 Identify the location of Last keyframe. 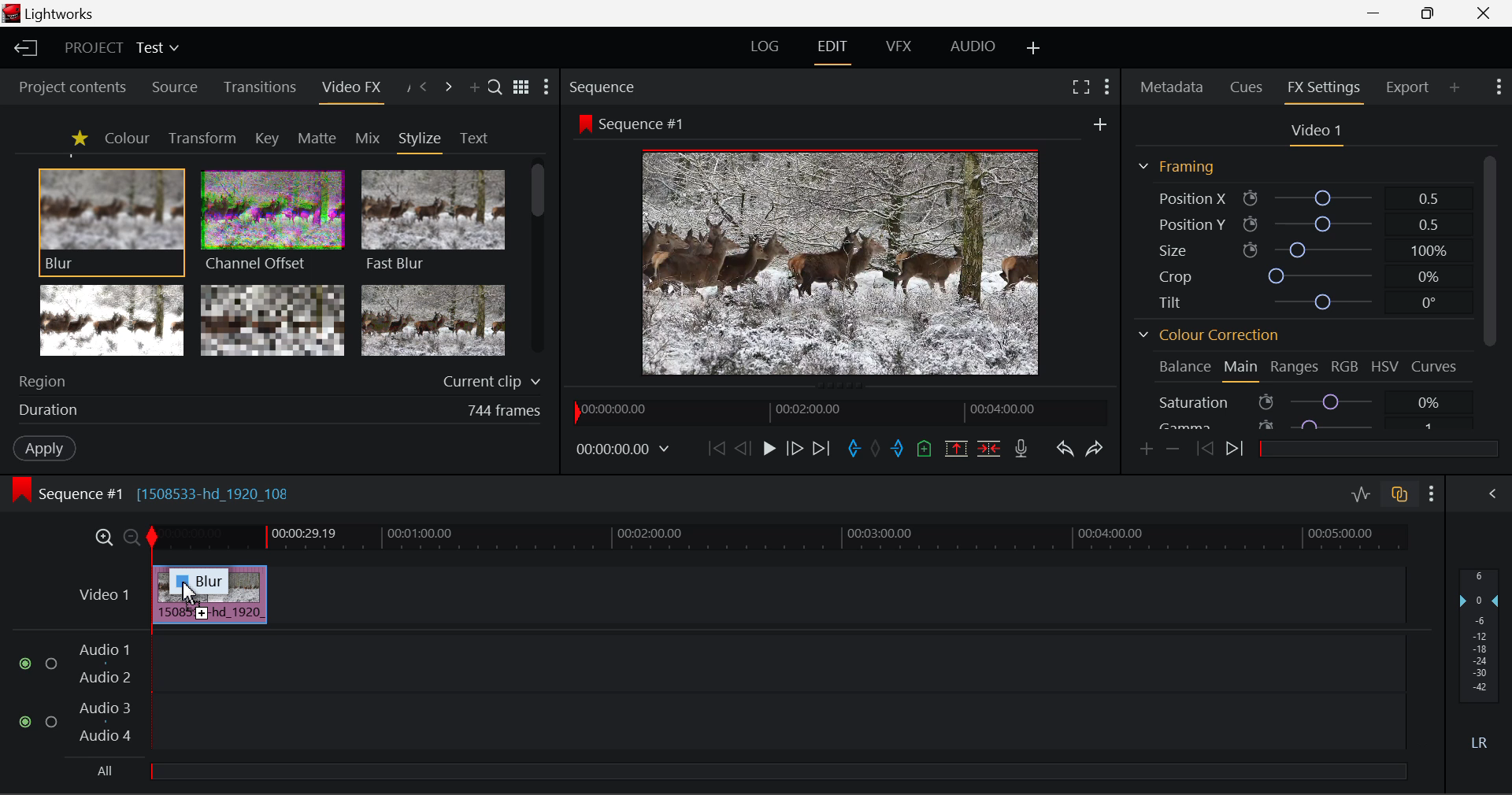
(1206, 451).